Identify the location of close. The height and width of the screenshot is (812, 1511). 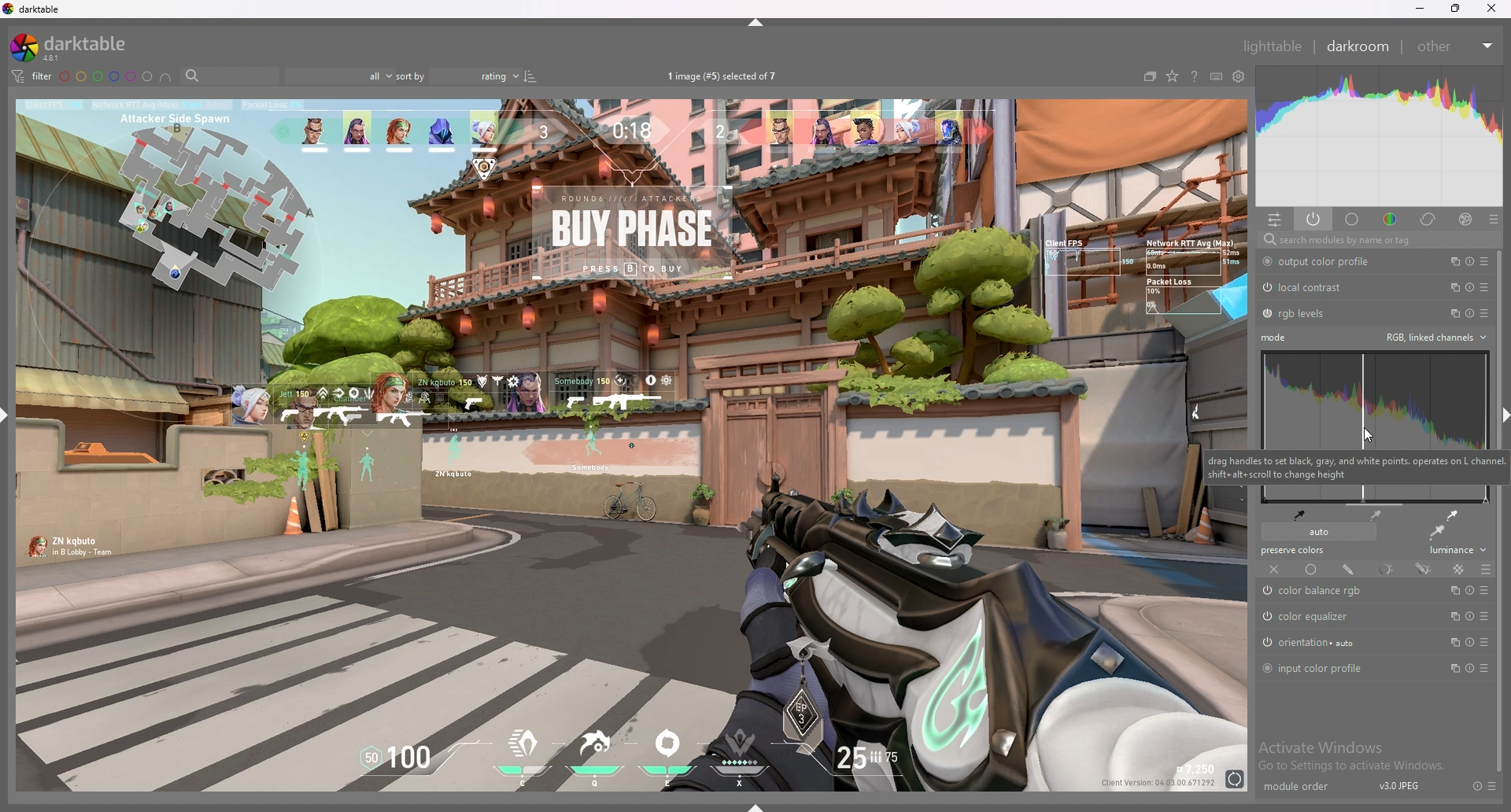
(1492, 9).